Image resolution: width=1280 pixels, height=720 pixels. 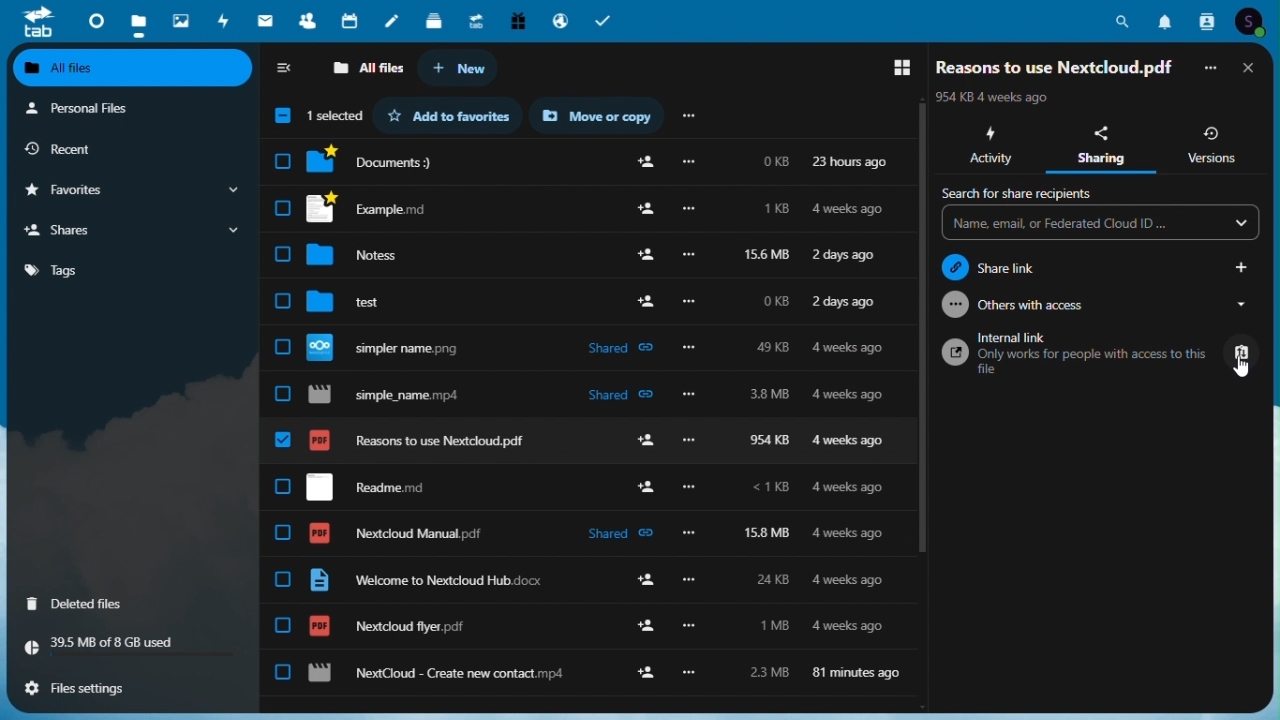 What do you see at coordinates (773, 394) in the screenshot?
I see `3.8mb` at bounding box center [773, 394].